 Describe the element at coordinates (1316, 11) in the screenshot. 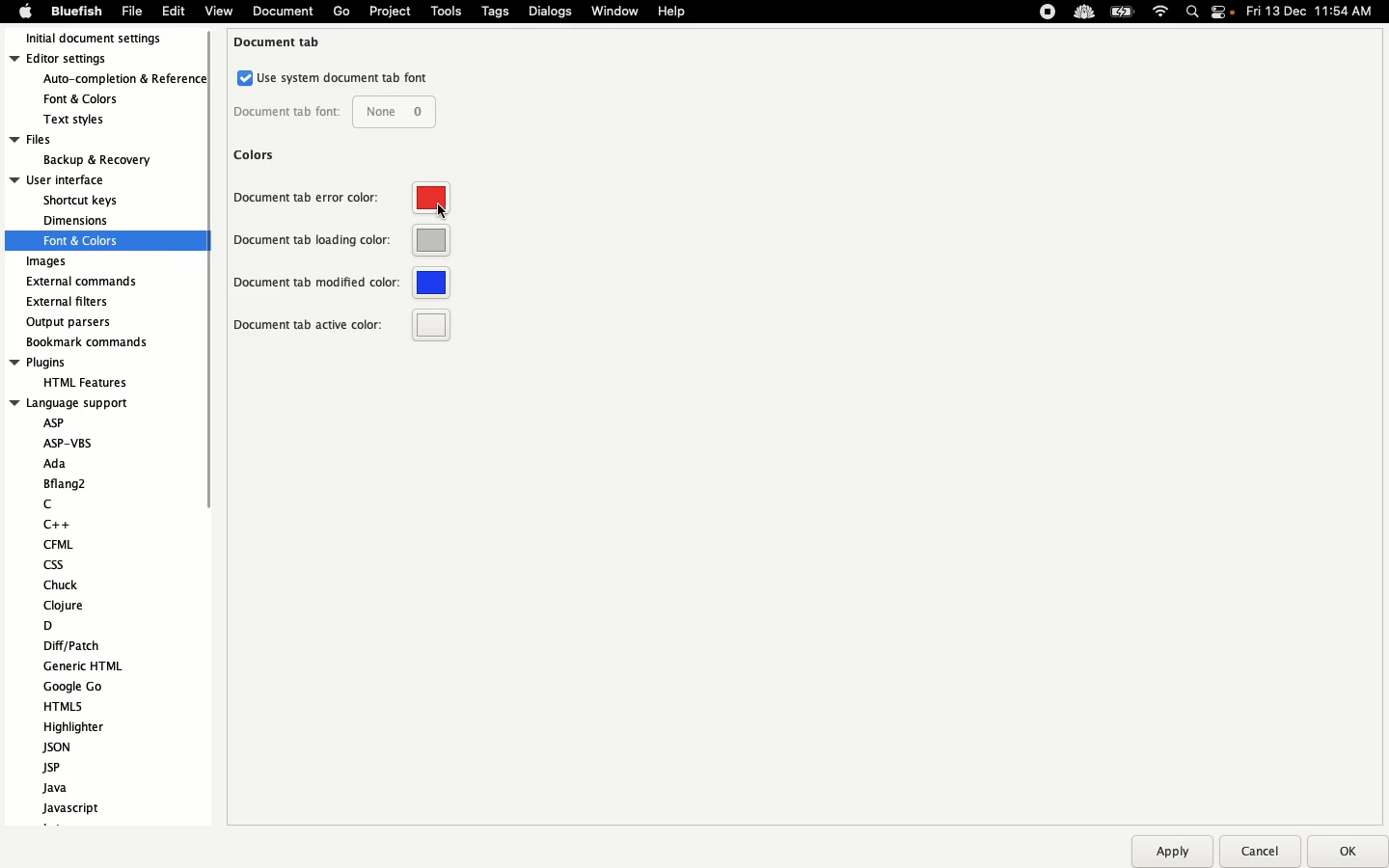

I see `Date time` at that location.